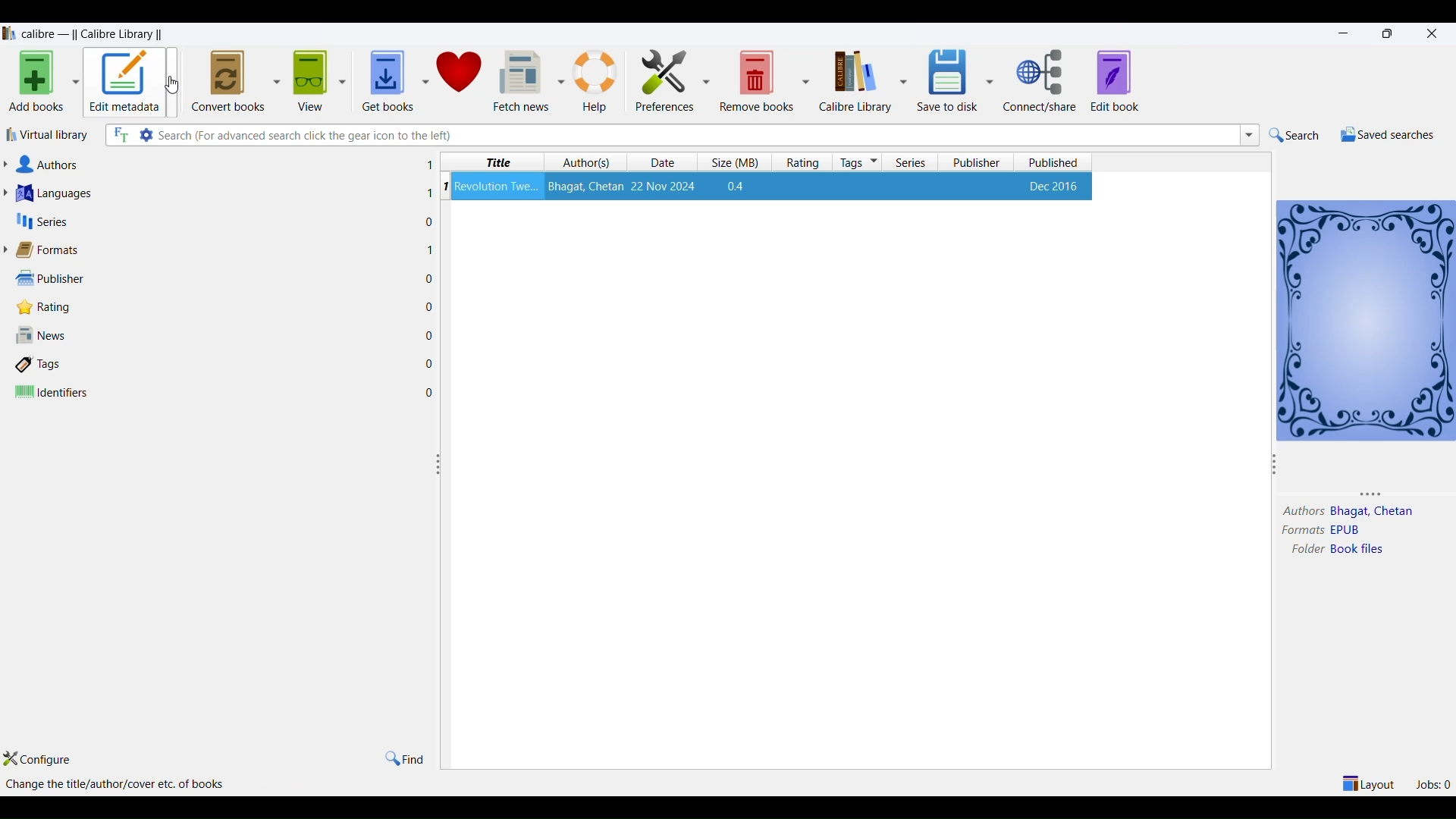  Describe the element at coordinates (34, 80) in the screenshot. I see `add books ` at that location.